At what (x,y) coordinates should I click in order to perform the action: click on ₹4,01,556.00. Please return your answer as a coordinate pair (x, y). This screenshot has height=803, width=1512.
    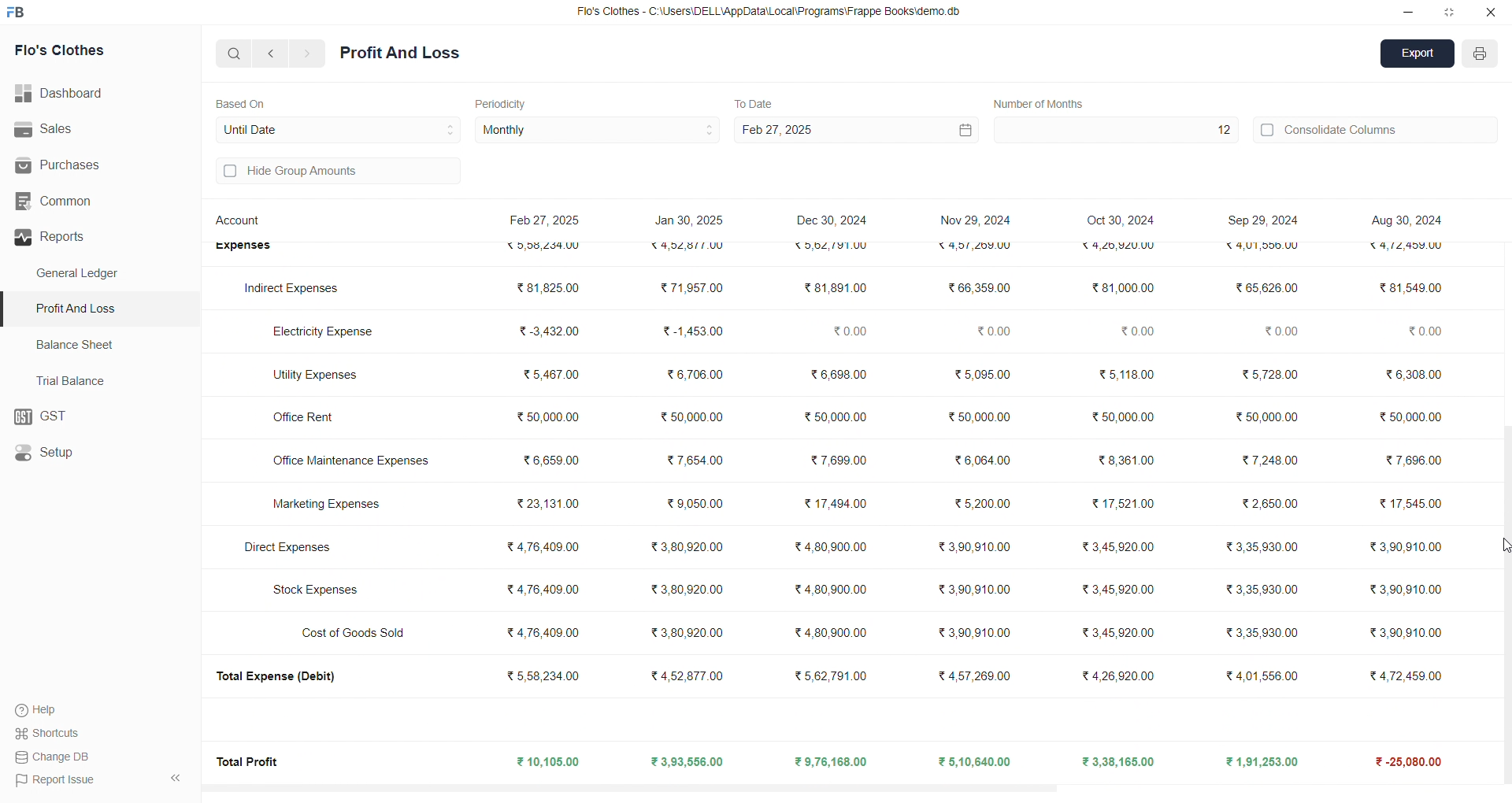
    Looking at the image, I should click on (1256, 249).